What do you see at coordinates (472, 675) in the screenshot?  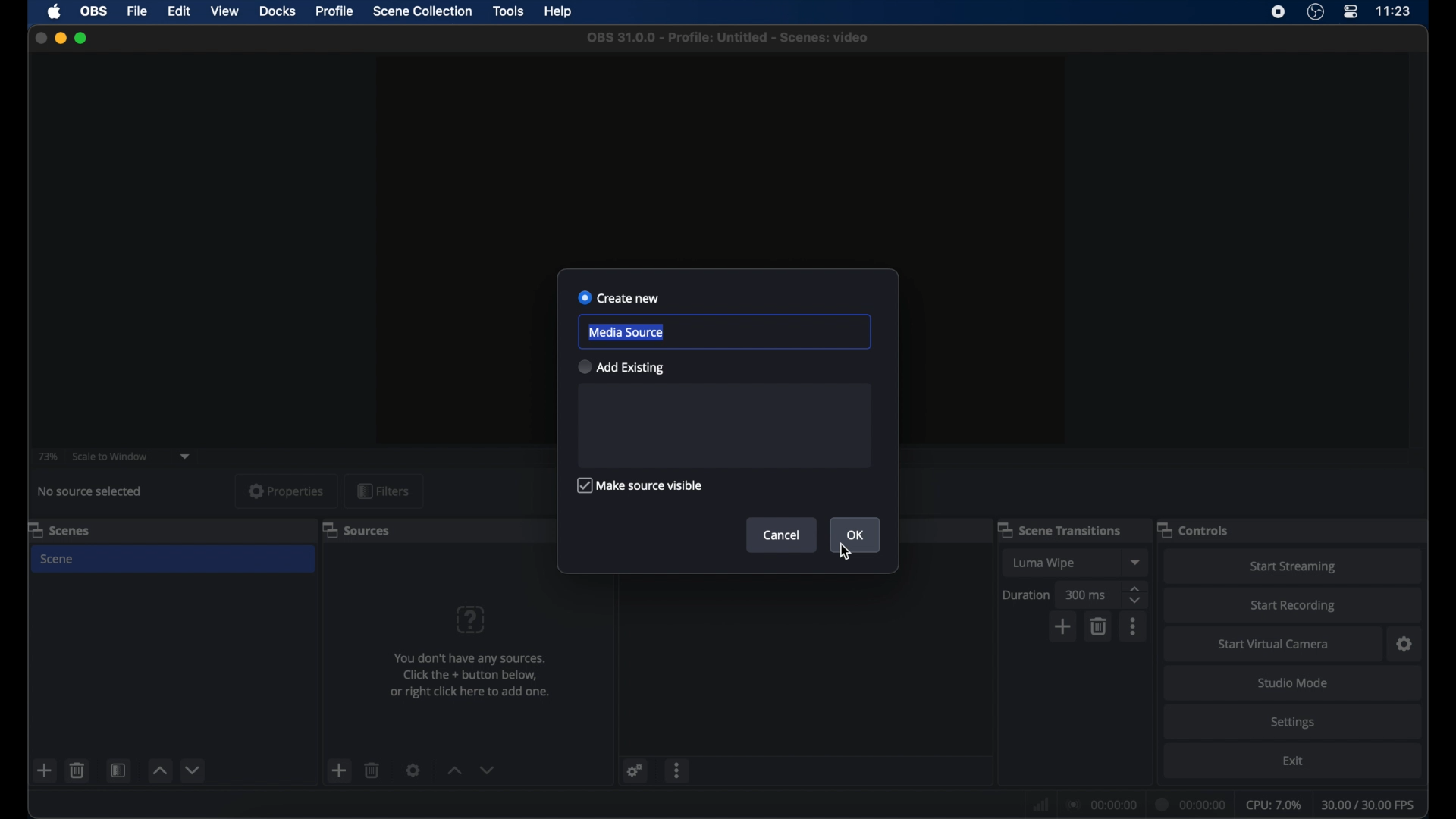 I see `info` at bounding box center [472, 675].